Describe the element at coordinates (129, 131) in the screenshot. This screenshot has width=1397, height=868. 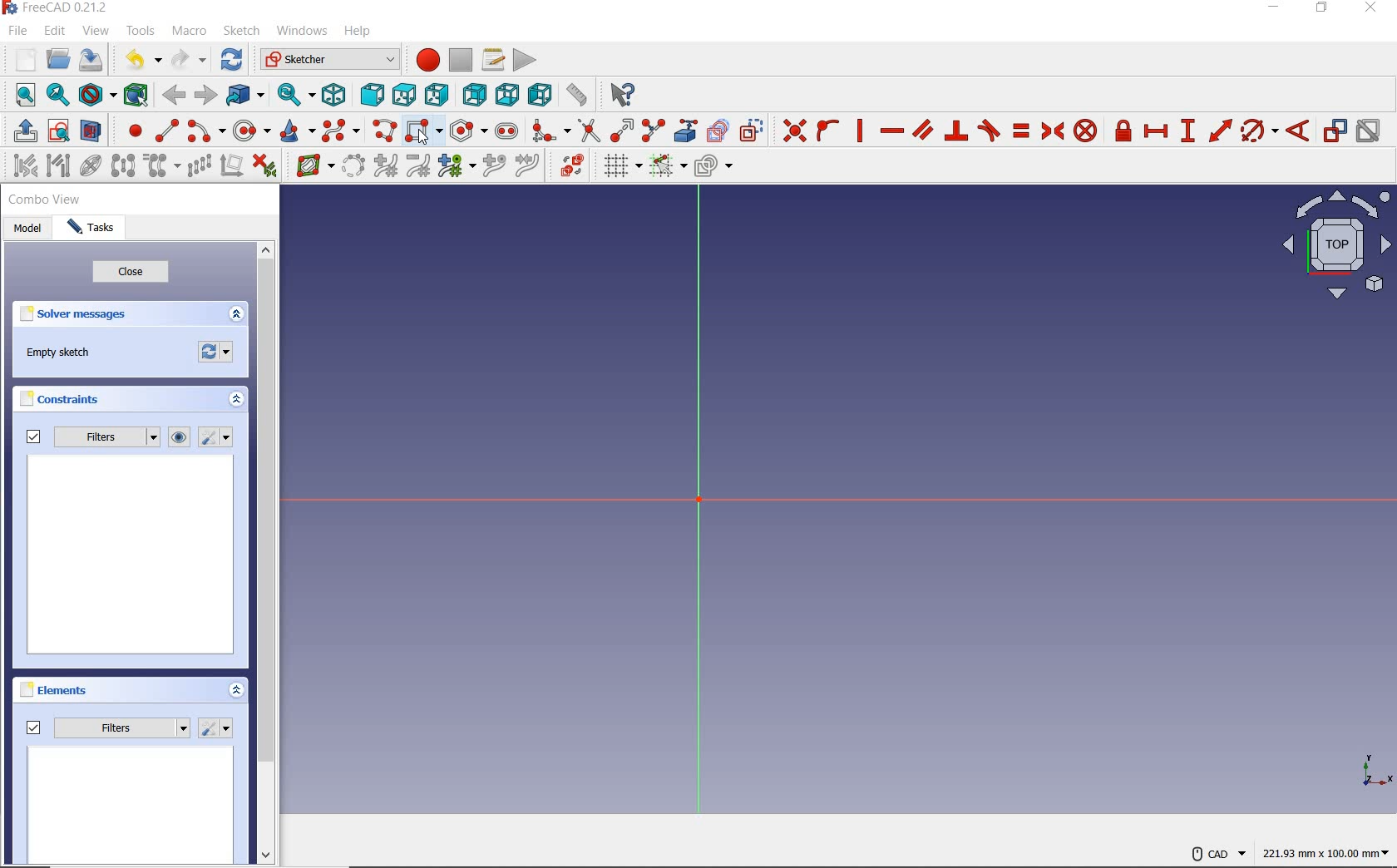
I see `create point` at that location.